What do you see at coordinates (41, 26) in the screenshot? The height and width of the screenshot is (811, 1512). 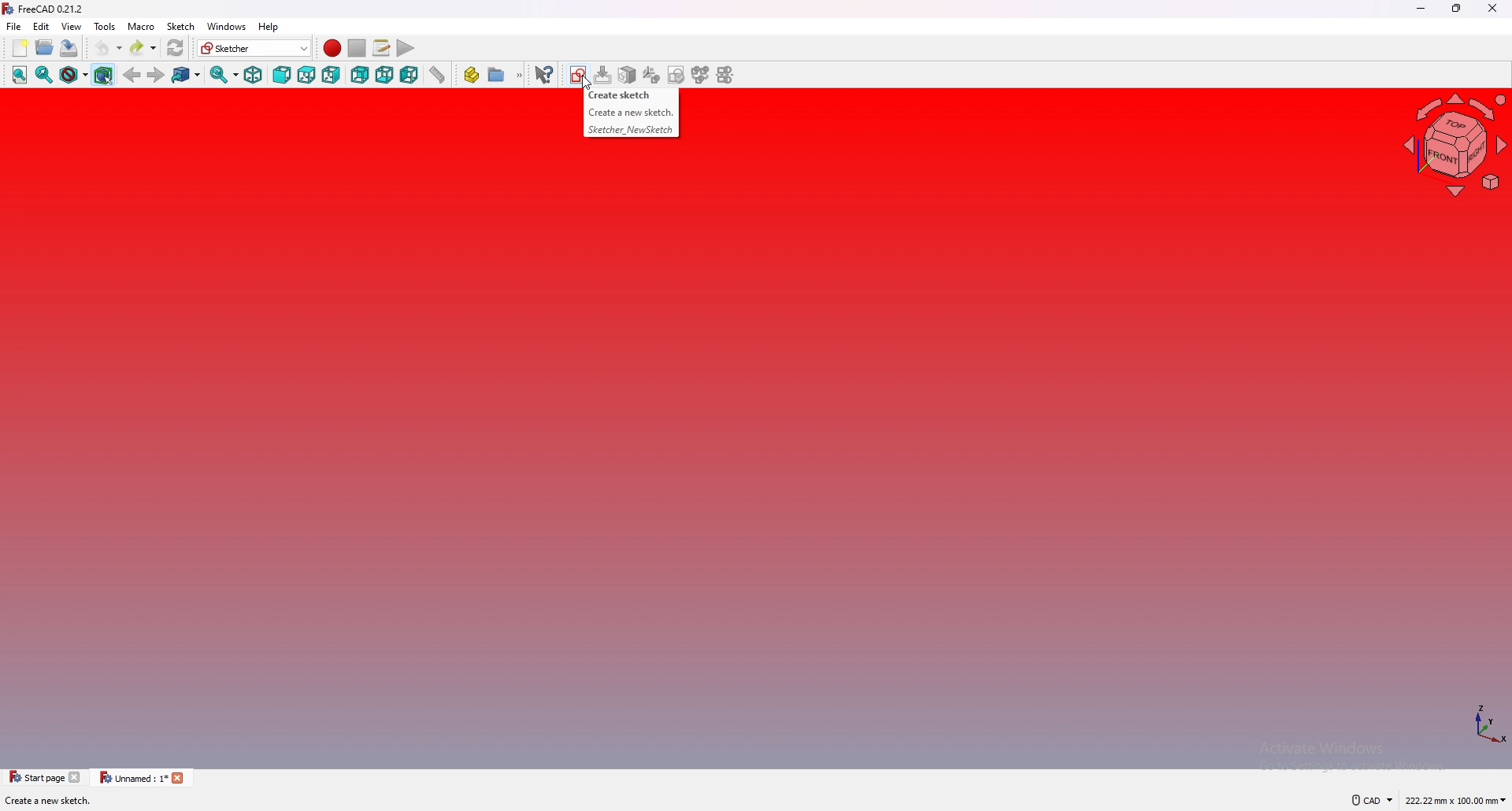 I see `edit` at bounding box center [41, 26].